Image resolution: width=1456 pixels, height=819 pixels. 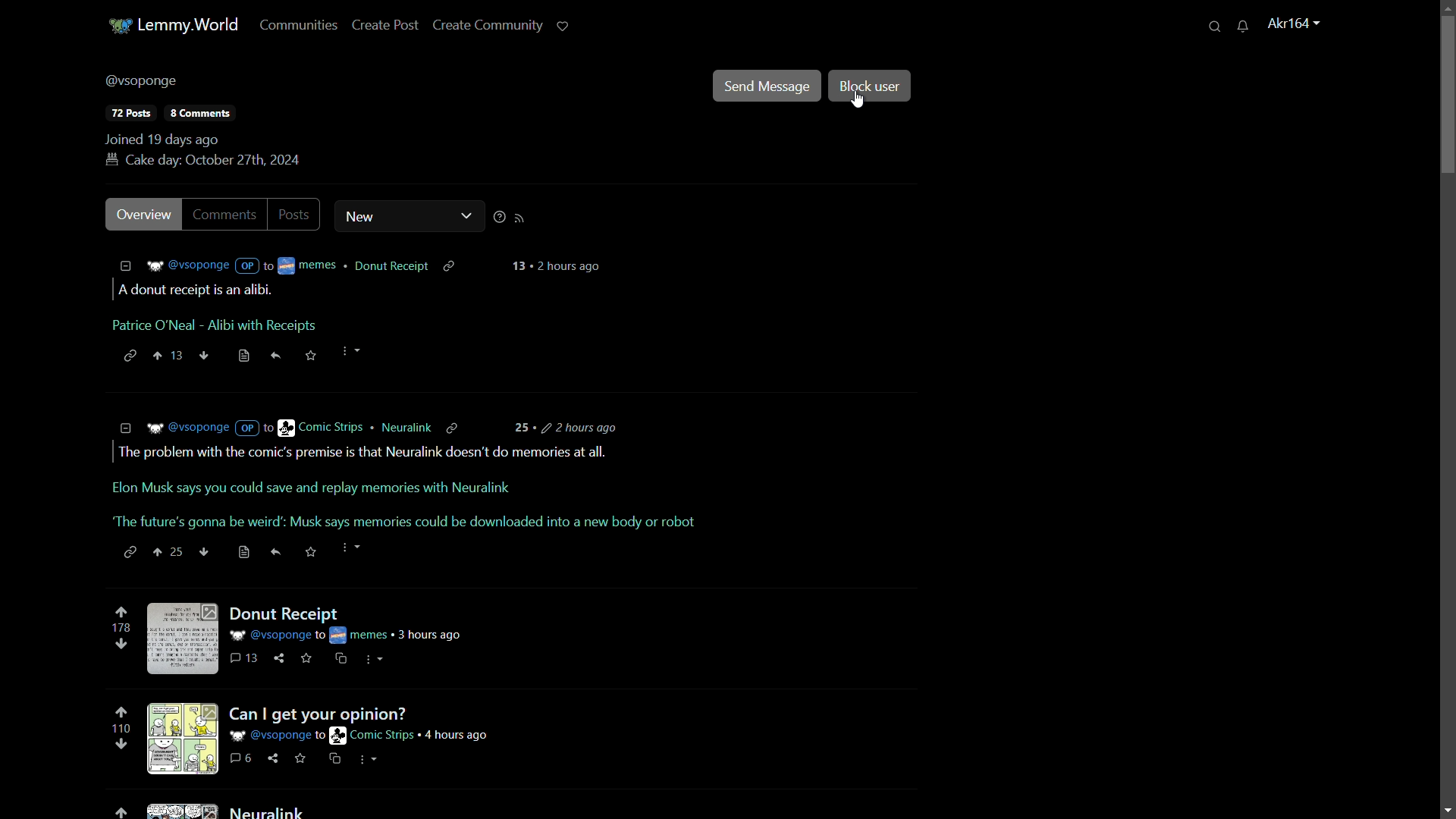 What do you see at coordinates (522, 220) in the screenshot?
I see `rss` at bounding box center [522, 220].